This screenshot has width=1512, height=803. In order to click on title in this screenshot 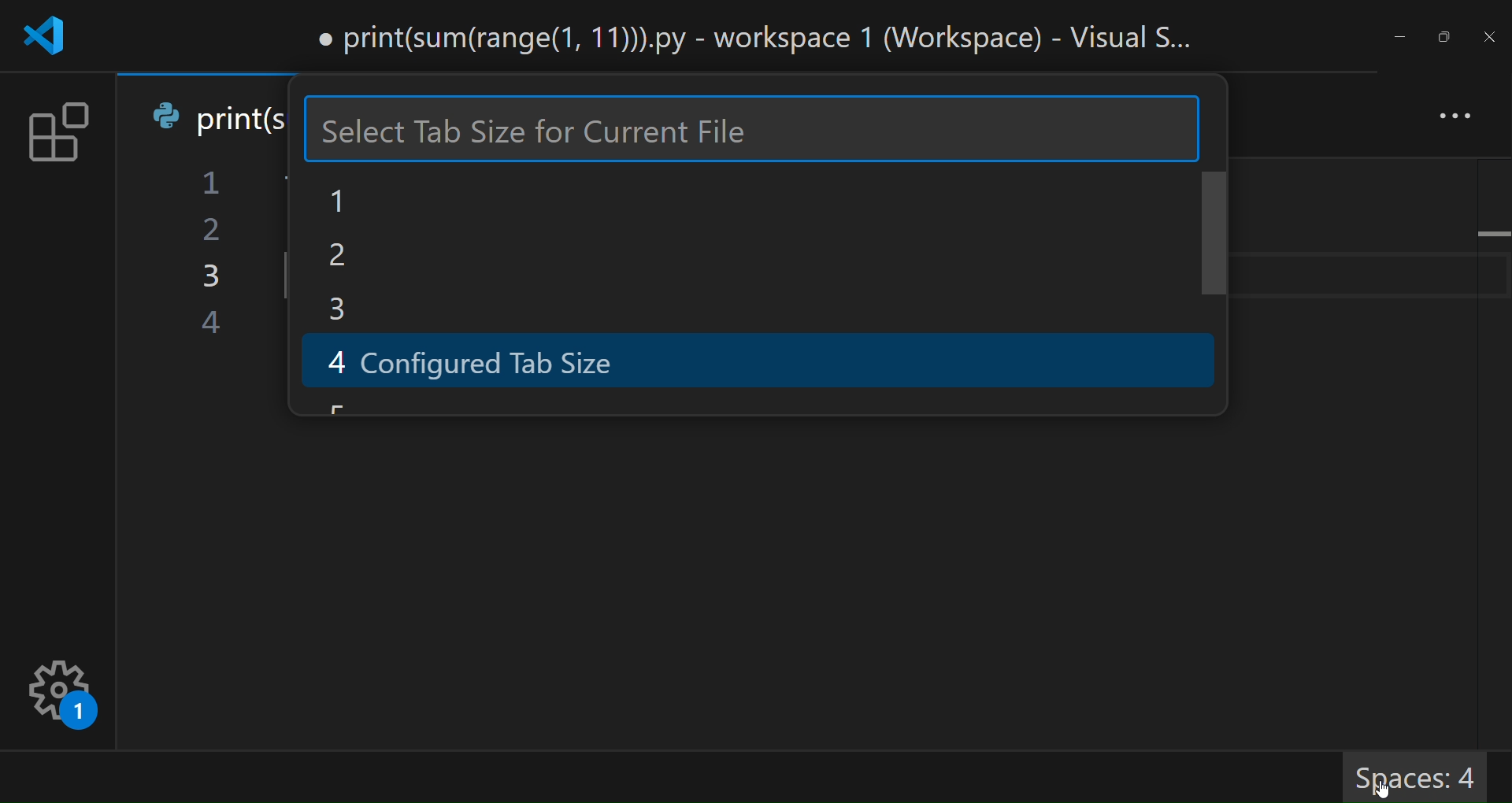, I will do `click(761, 40)`.